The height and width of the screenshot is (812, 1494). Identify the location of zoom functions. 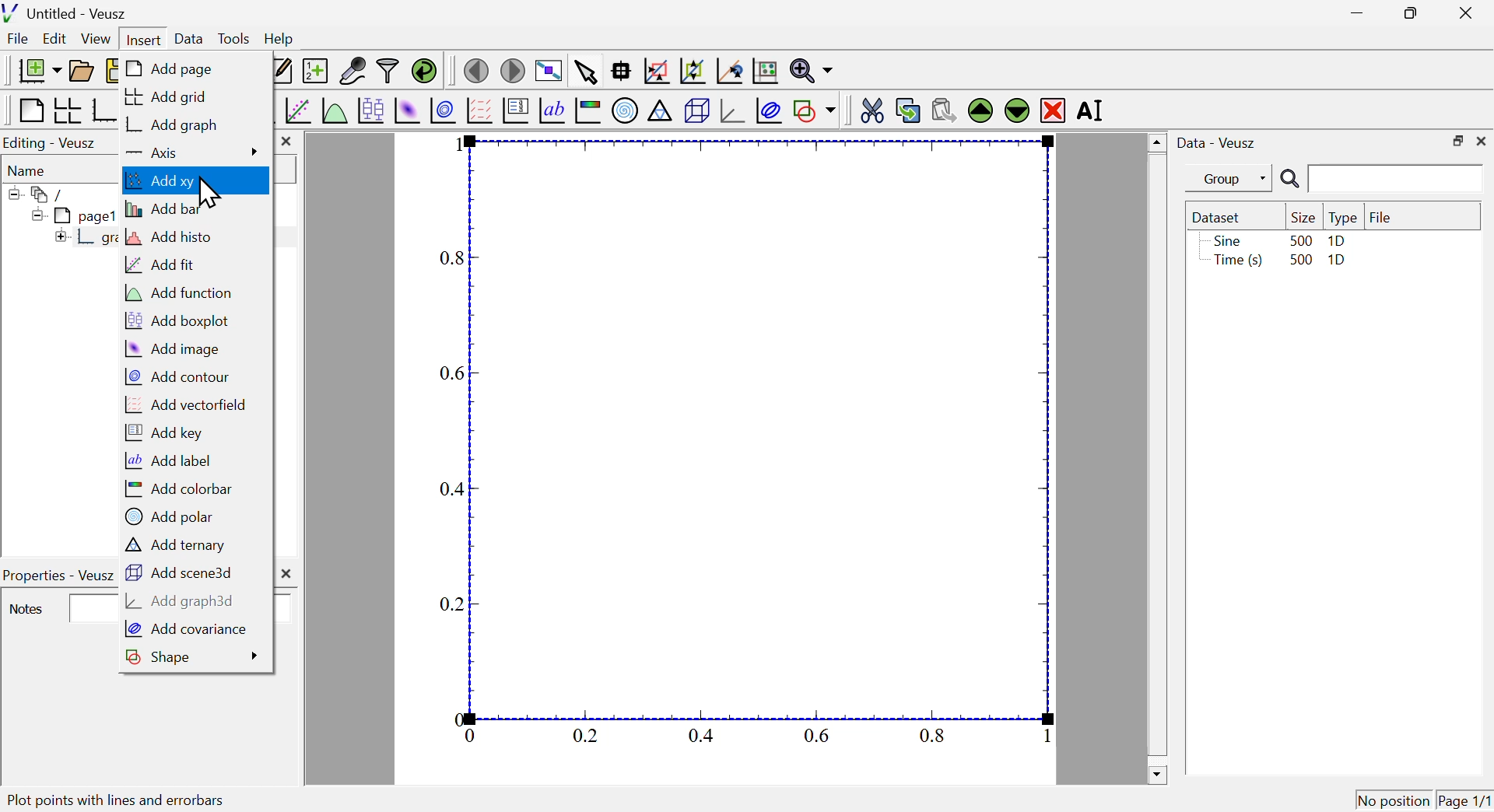
(811, 71).